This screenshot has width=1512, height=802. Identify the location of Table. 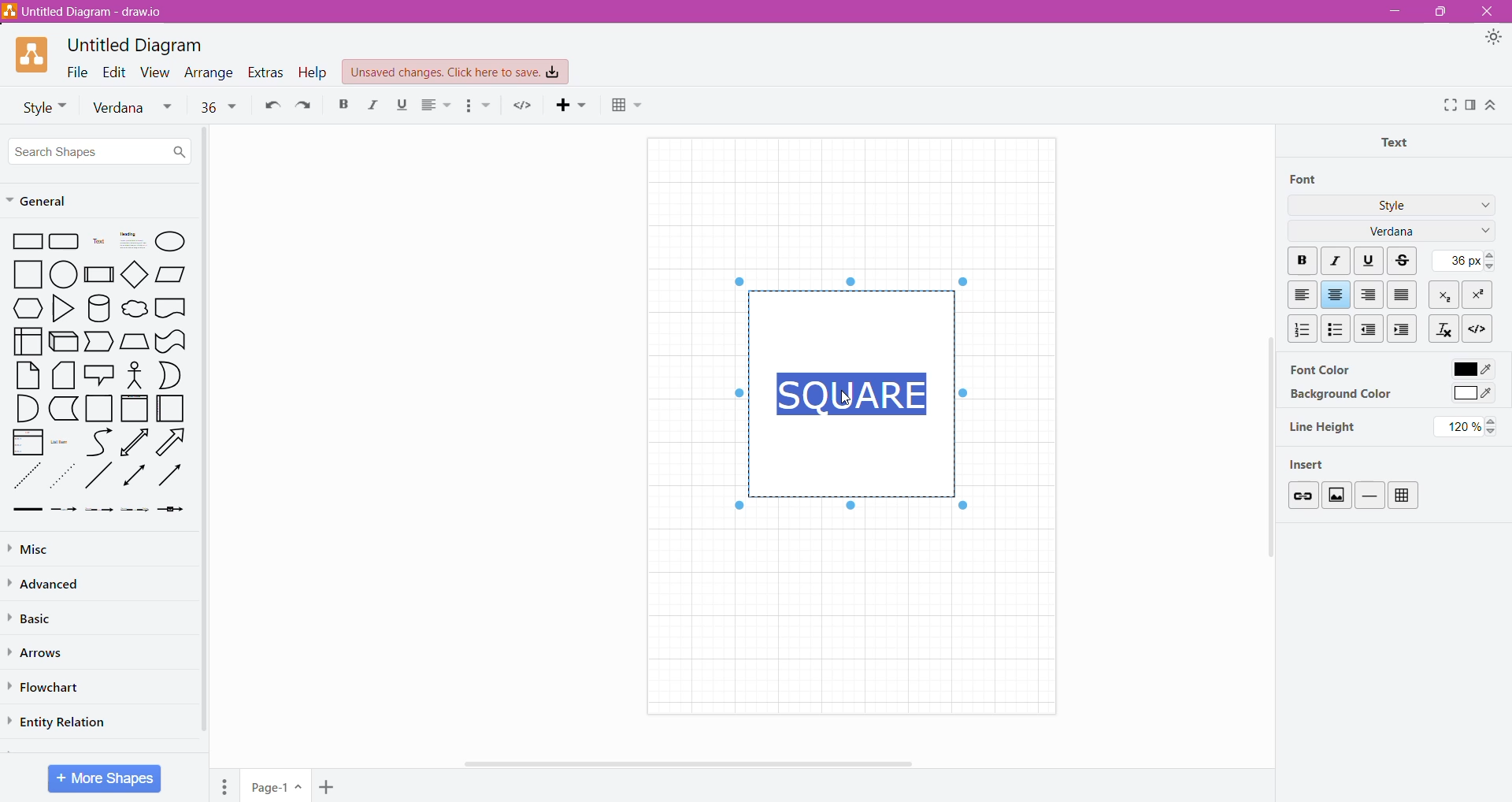
(1403, 496).